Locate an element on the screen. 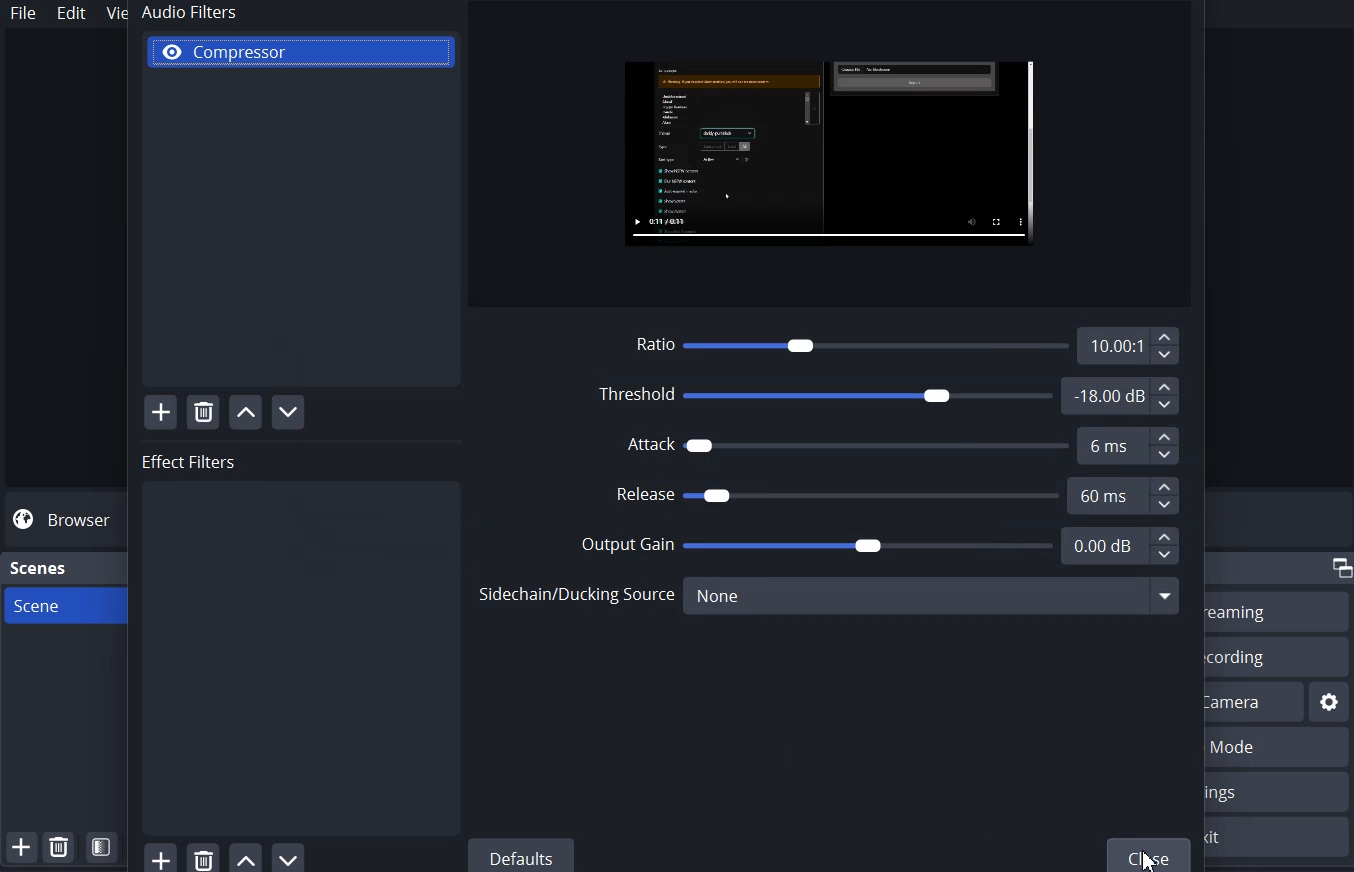 This screenshot has height=872, width=1354. Close is located at coordinates (1139, 853).